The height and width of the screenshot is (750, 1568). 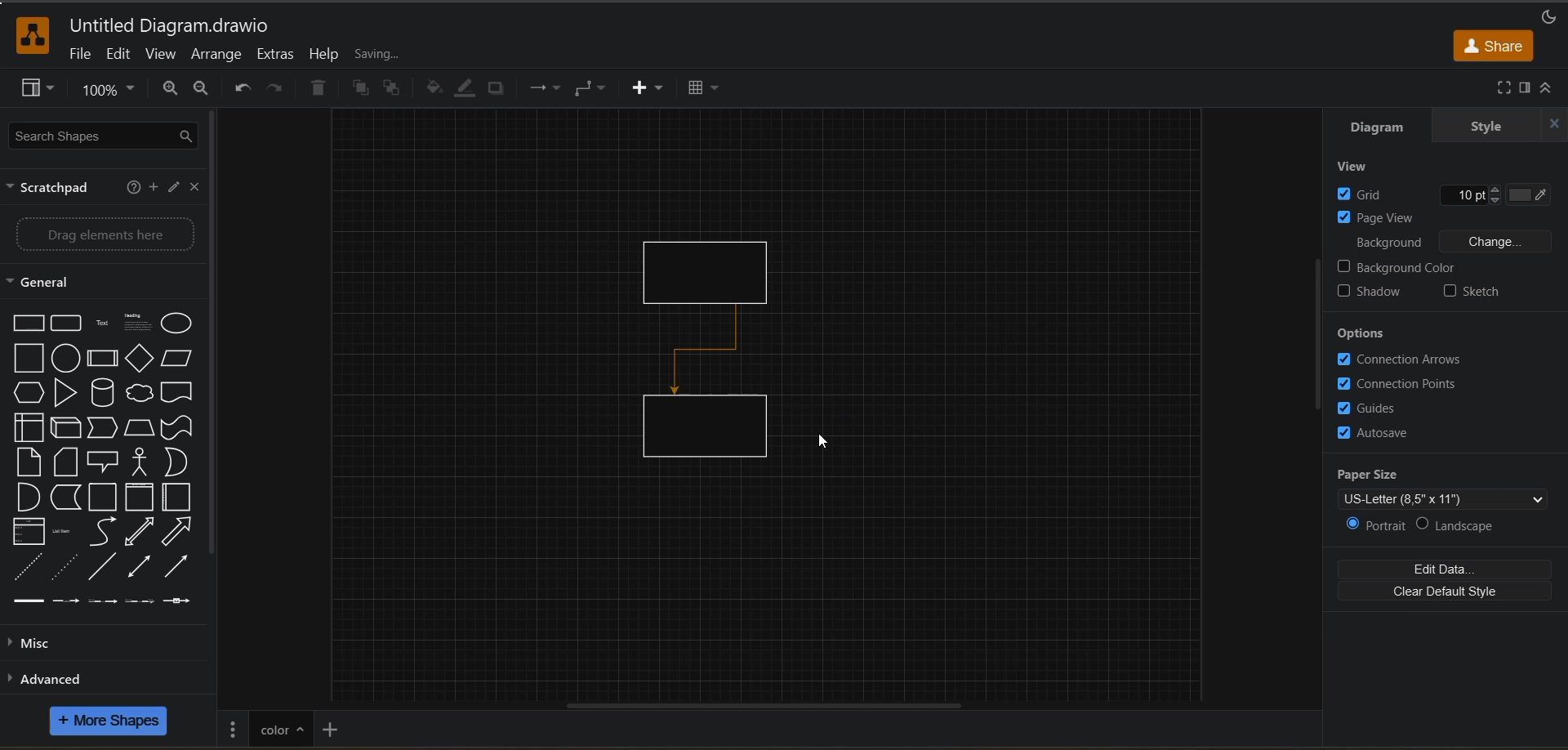 I want to click on general, so click(x=53, y=283).